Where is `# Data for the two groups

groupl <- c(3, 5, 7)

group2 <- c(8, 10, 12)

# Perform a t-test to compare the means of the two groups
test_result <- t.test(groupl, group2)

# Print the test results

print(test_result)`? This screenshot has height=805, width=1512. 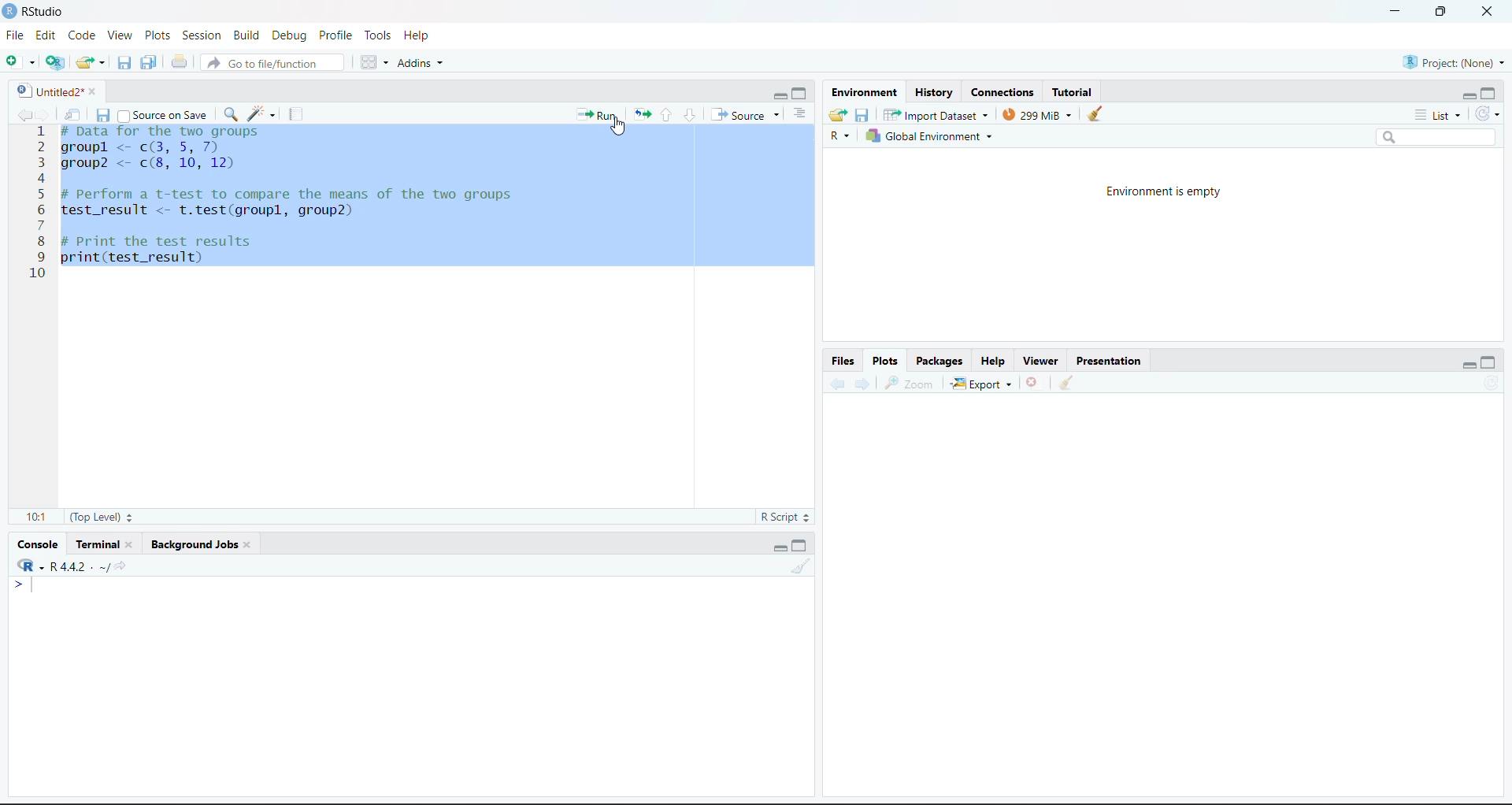
# Data for the two groups

groupl <- c(3, 5, 7)

group2 <- c(8, 10, 12)

# Perform a t-test to compare the means of the two groups
test_result <- t.test(groupl, group2)

# Print the test results

print(test_result) is located at coordinates (302, 195).